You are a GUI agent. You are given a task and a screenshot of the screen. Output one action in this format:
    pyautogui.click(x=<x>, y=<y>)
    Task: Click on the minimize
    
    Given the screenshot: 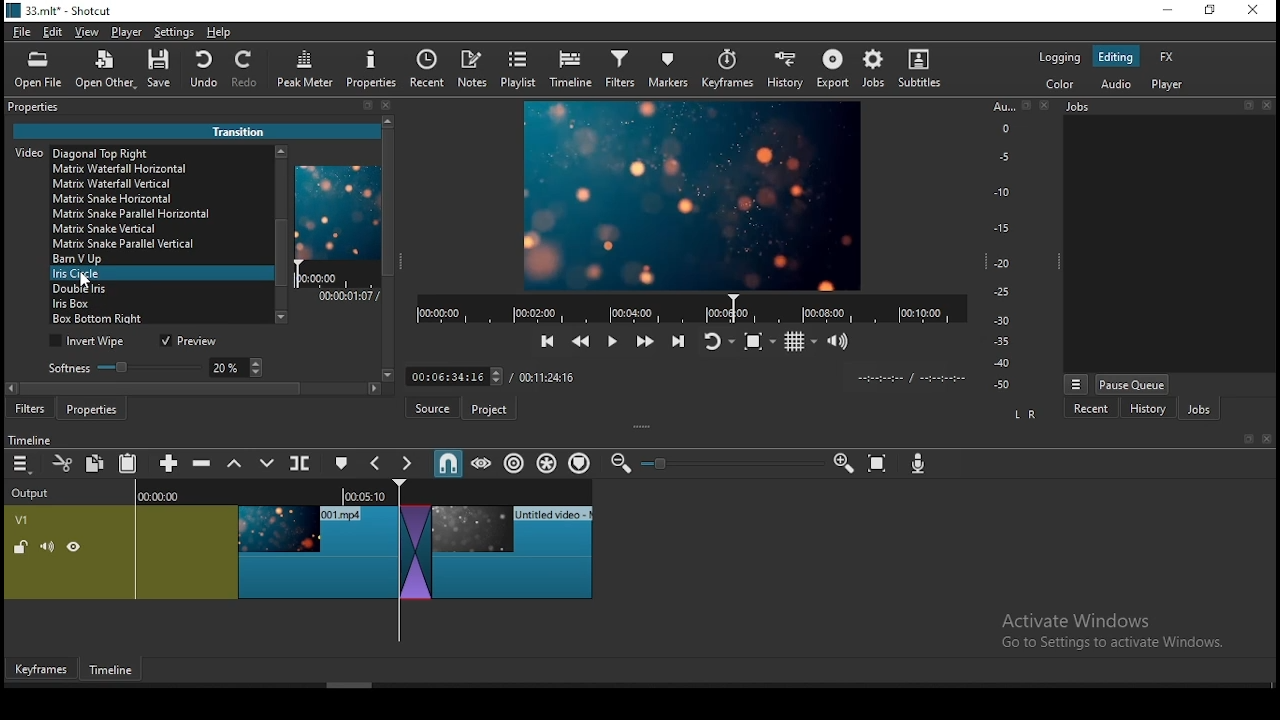 What is the action you would take?
    pyautogui.click(x=1171, y=11)
    